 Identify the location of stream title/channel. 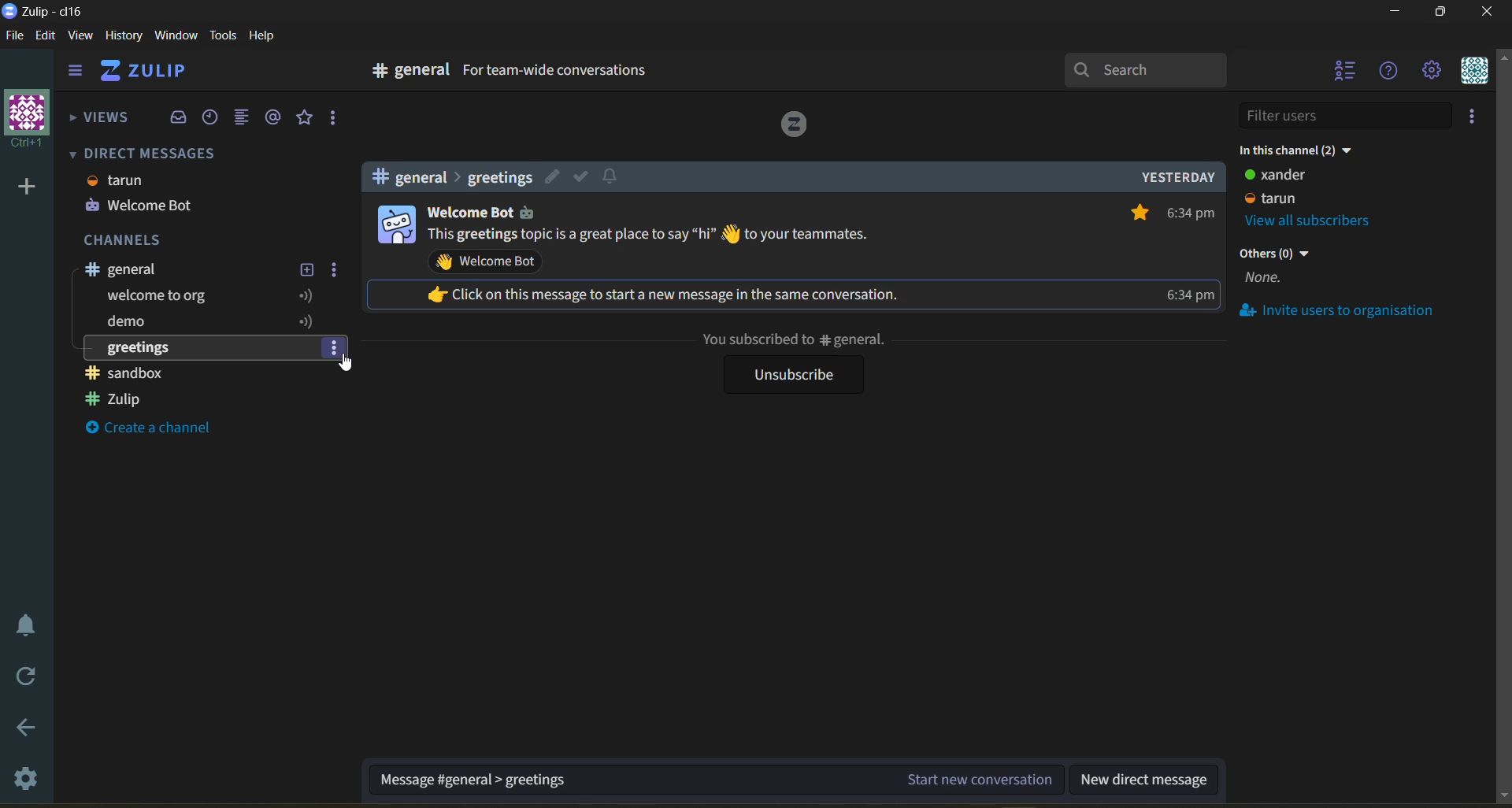
(187, 269).